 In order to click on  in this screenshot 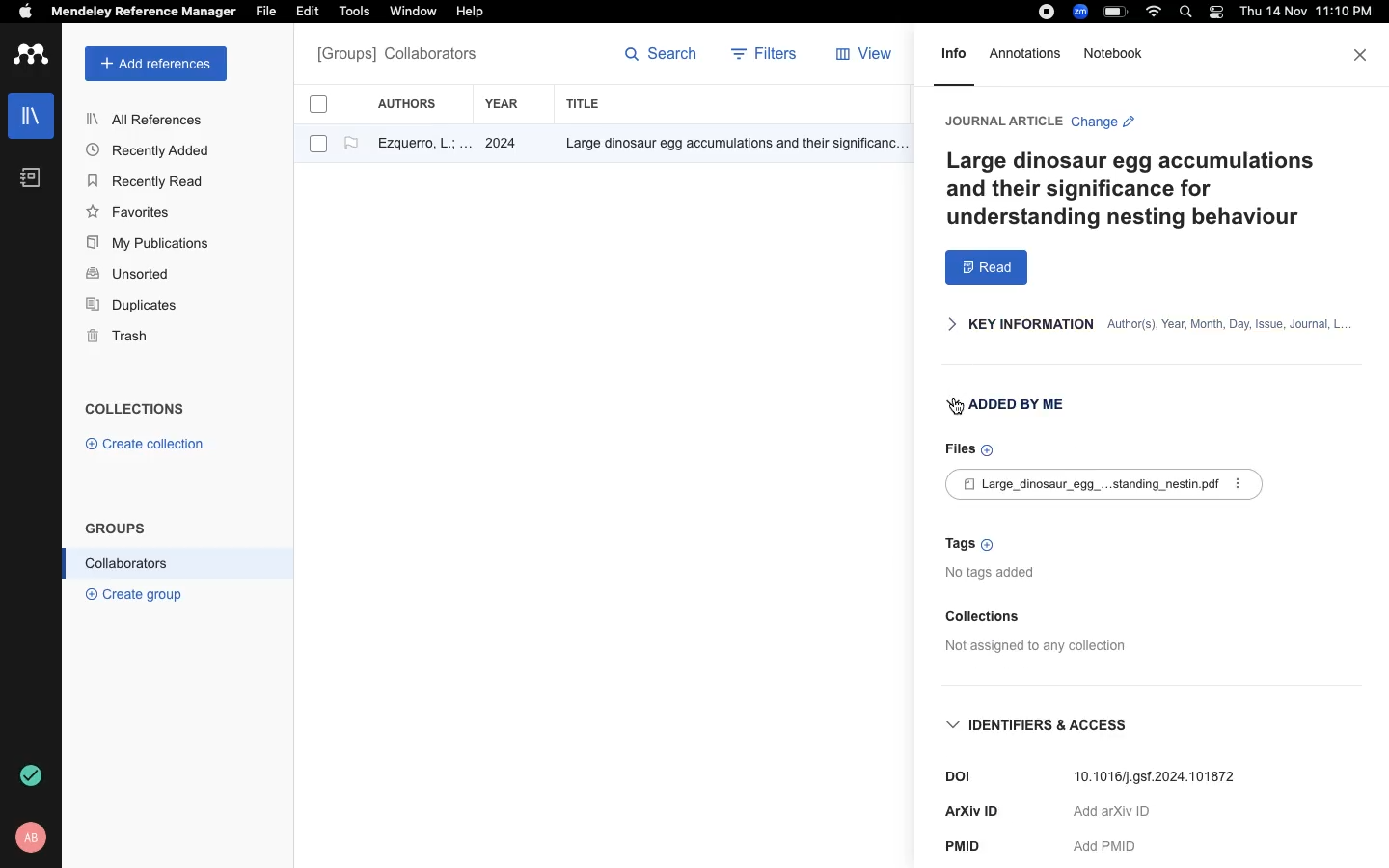, I will do `click(728, 145)`.